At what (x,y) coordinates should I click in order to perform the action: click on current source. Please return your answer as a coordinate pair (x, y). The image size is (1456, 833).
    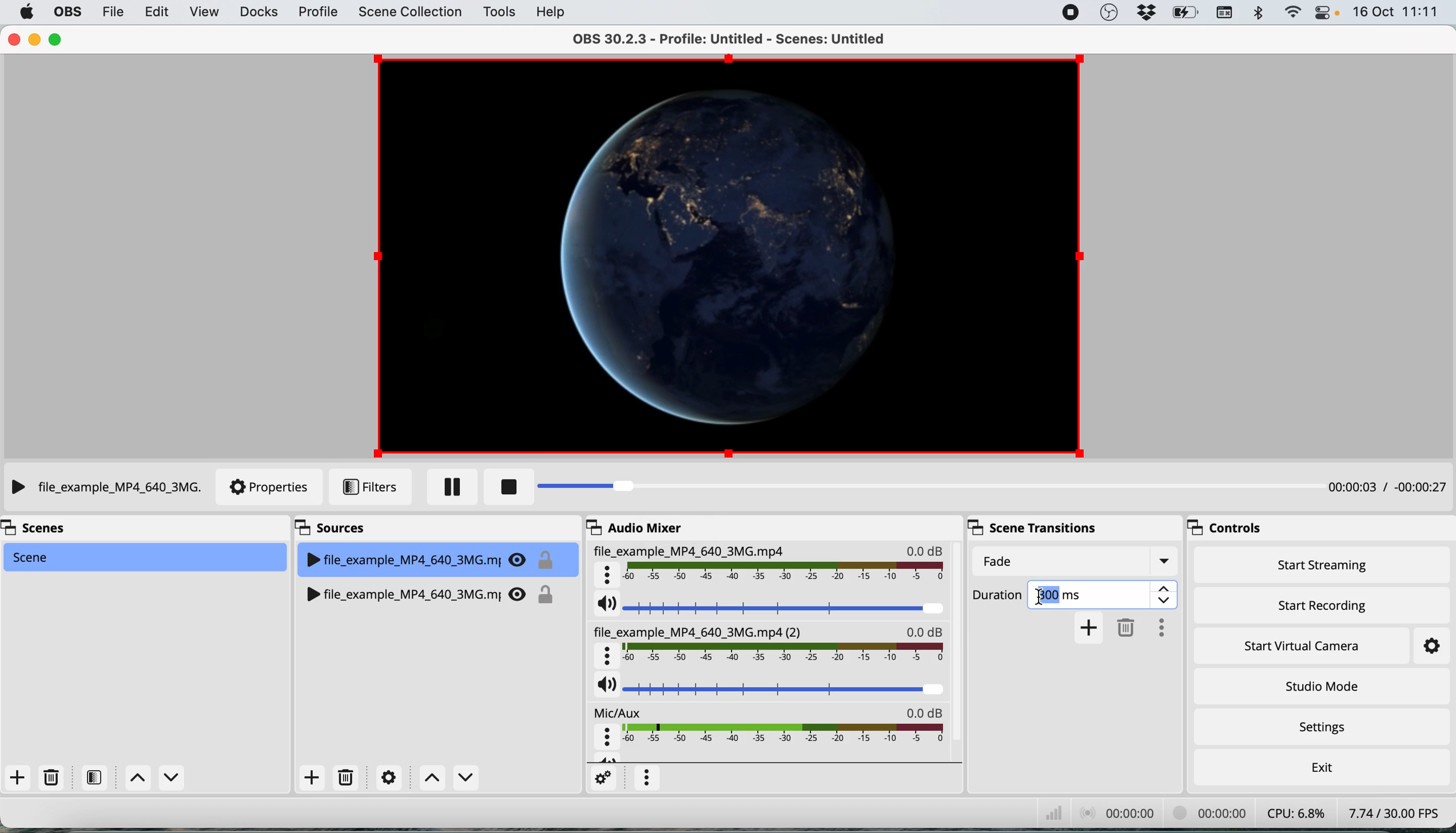
    Looking at the image, I should click on (429, 556).